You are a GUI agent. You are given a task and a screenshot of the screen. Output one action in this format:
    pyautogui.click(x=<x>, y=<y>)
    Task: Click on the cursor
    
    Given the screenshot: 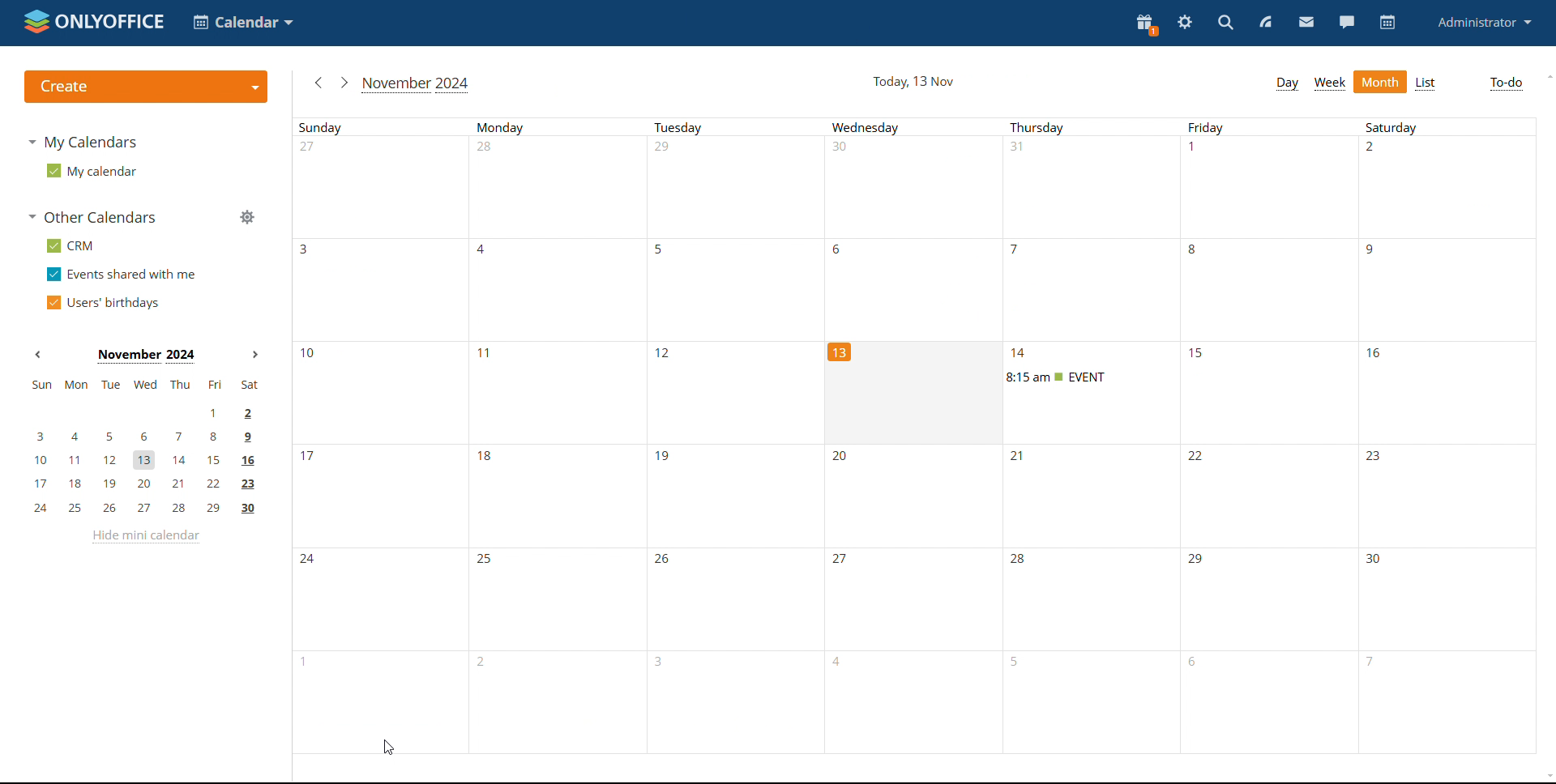 What is the action you would take?
    pyautogui.click(x=387, y=747)
    